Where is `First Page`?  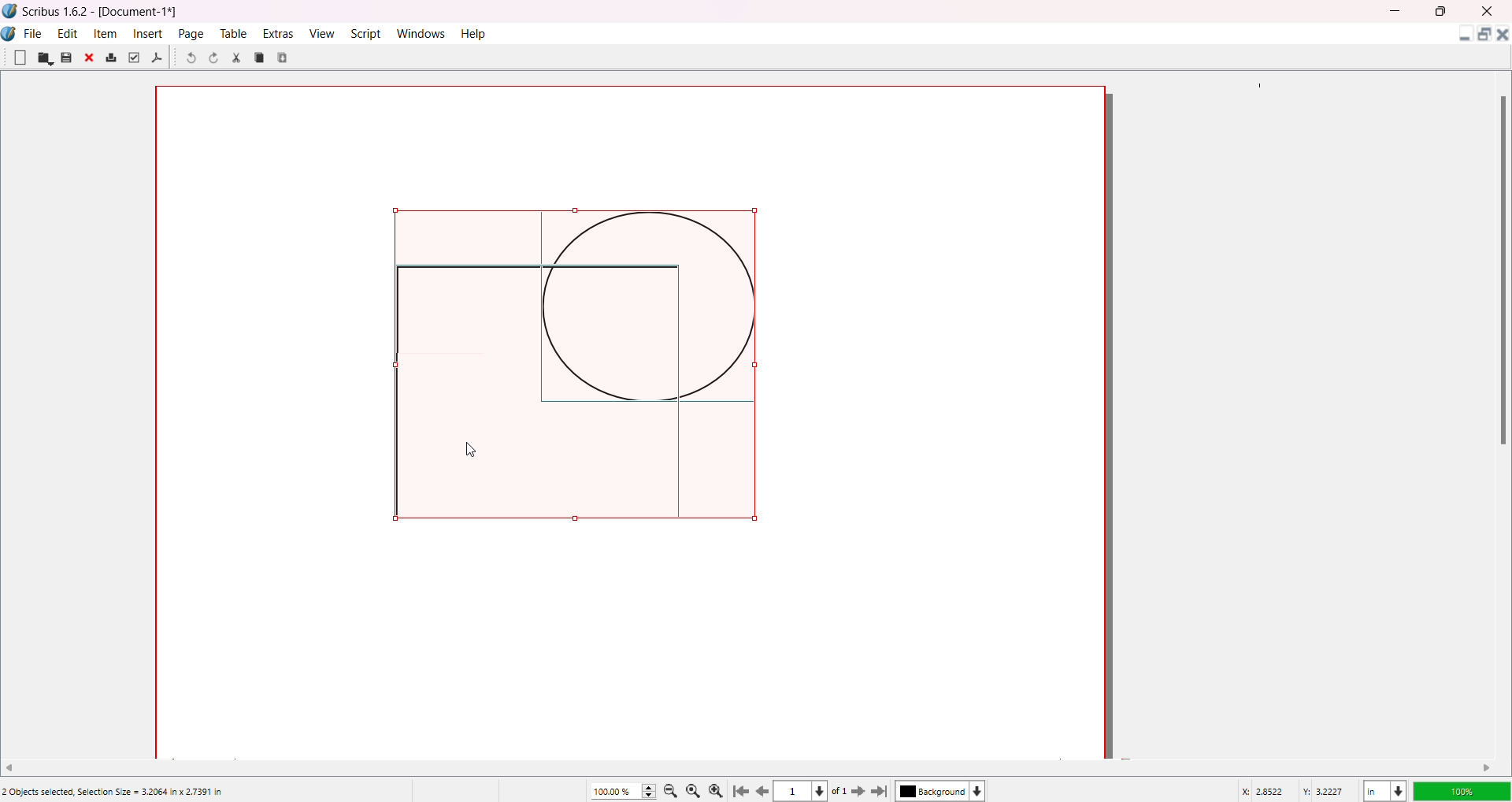 First Page is located at coordinates (743, 789).